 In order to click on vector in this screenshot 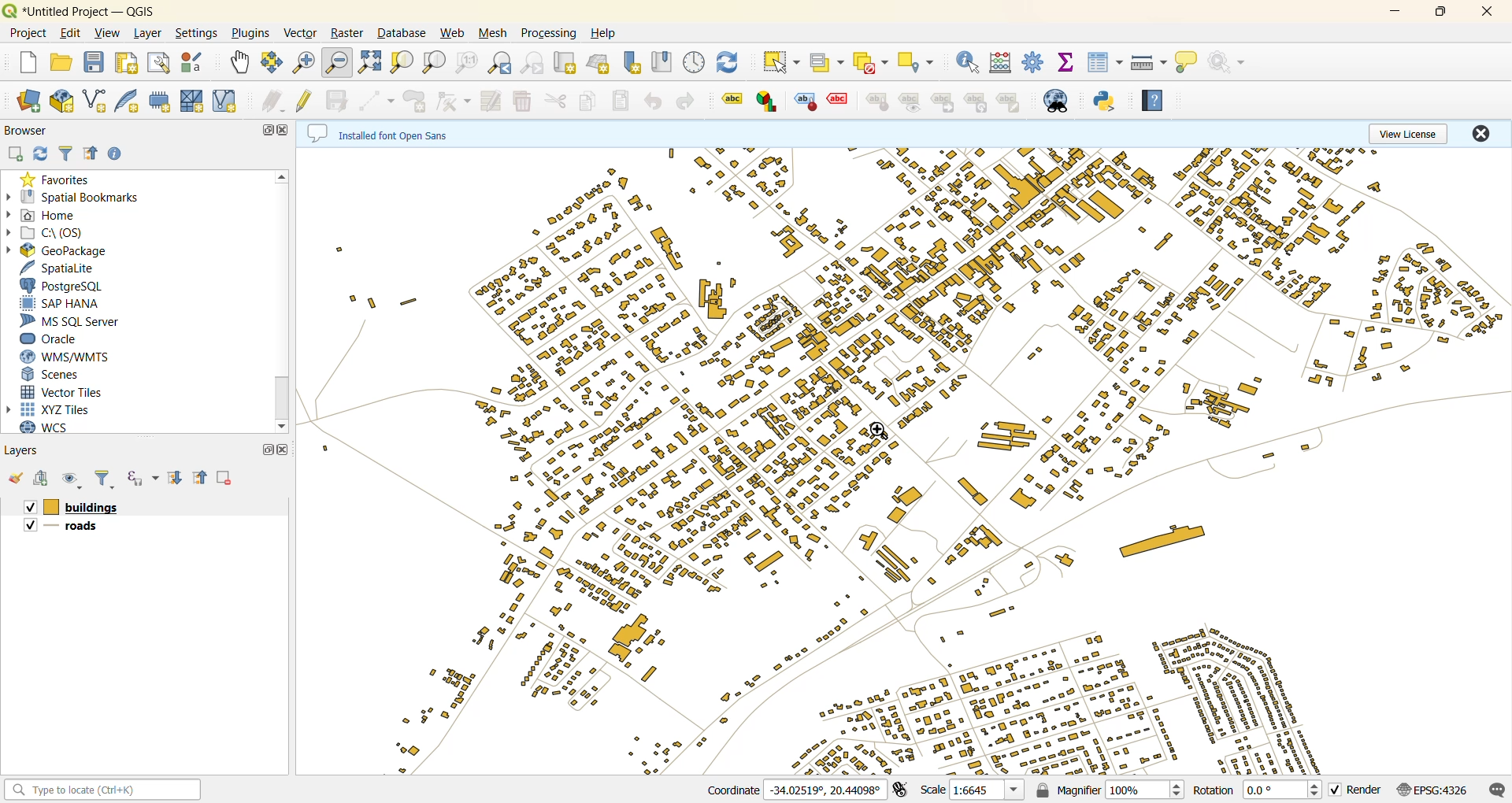, I will do `click(300, 35)`.